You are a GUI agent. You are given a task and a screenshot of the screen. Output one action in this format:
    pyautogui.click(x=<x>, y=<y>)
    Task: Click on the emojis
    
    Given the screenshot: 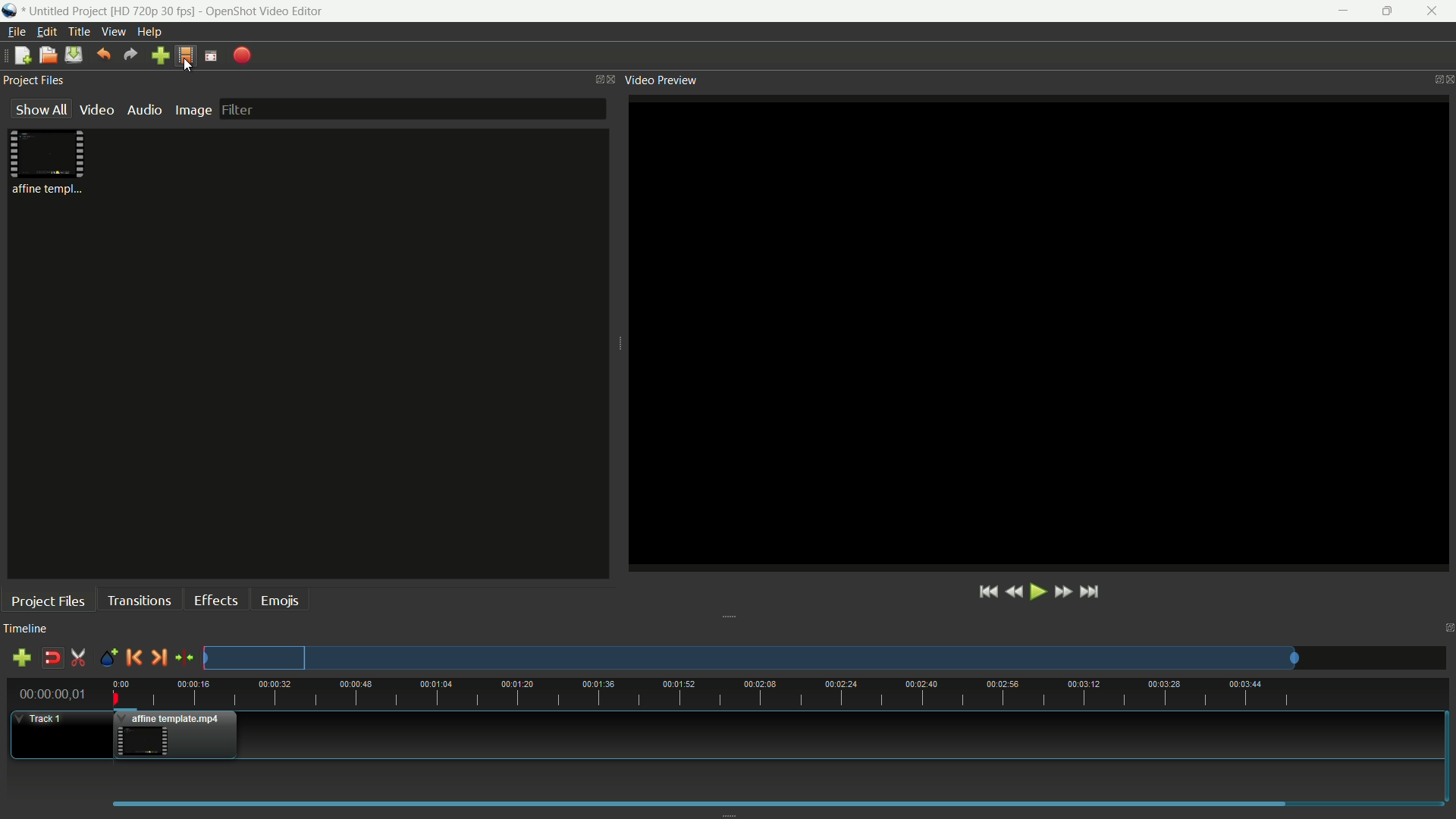 What is the action you would take?
    pyautogui.click(x=281, y=601)
    